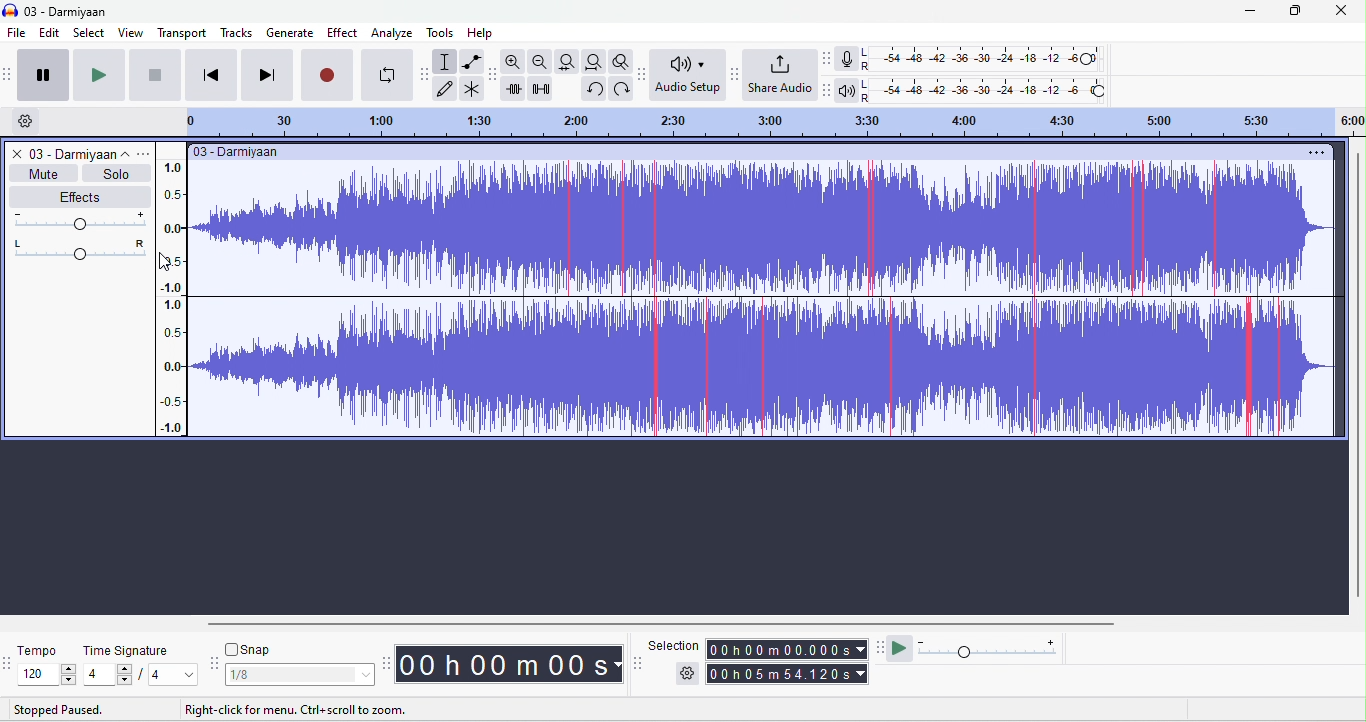  Describe the element at coordinates (47, 34) in the screenshot. I see `edit` at that location.